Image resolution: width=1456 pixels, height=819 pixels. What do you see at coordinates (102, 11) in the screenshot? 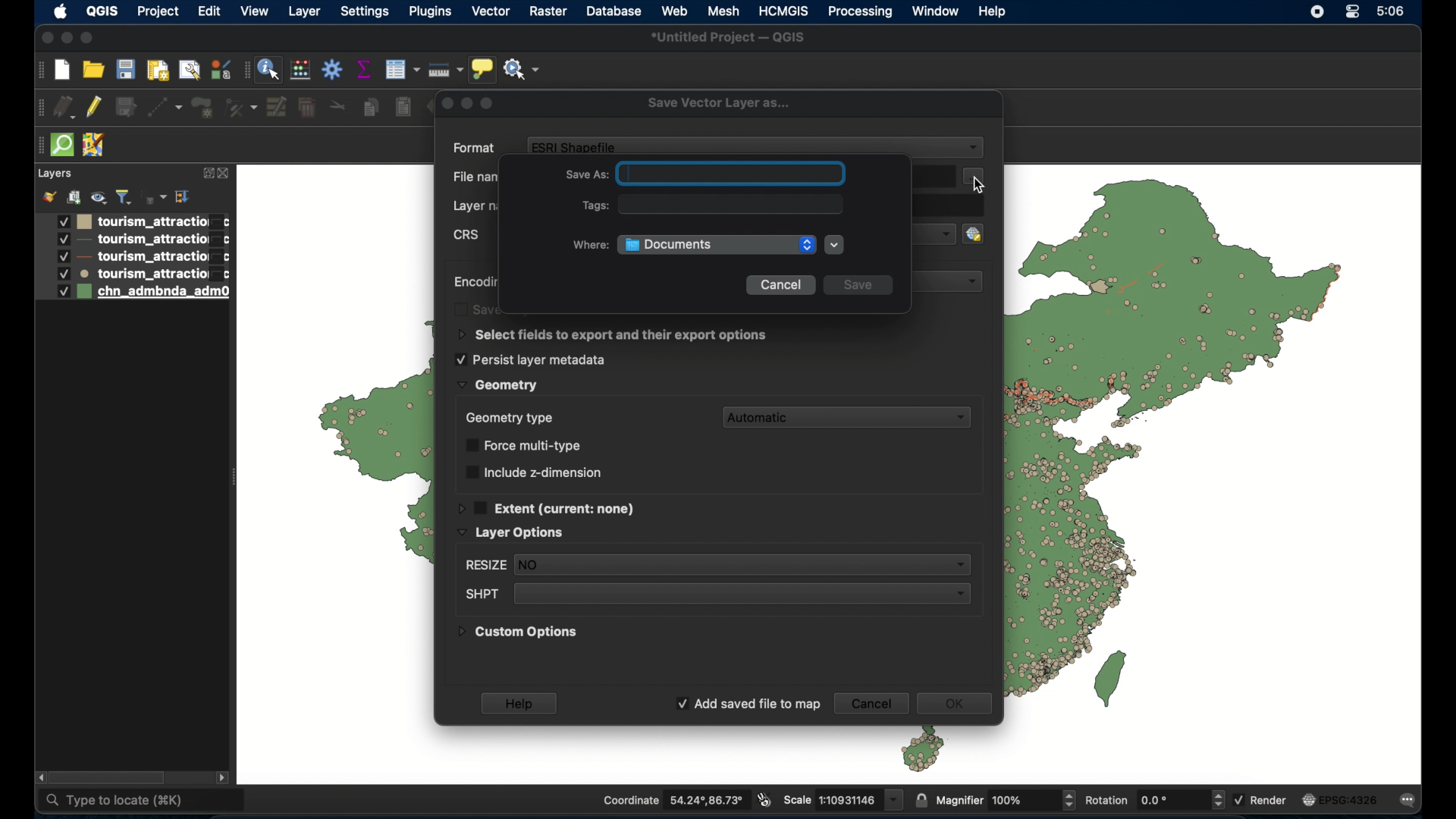
I see `QGIS` at bounding box center [102, 11].